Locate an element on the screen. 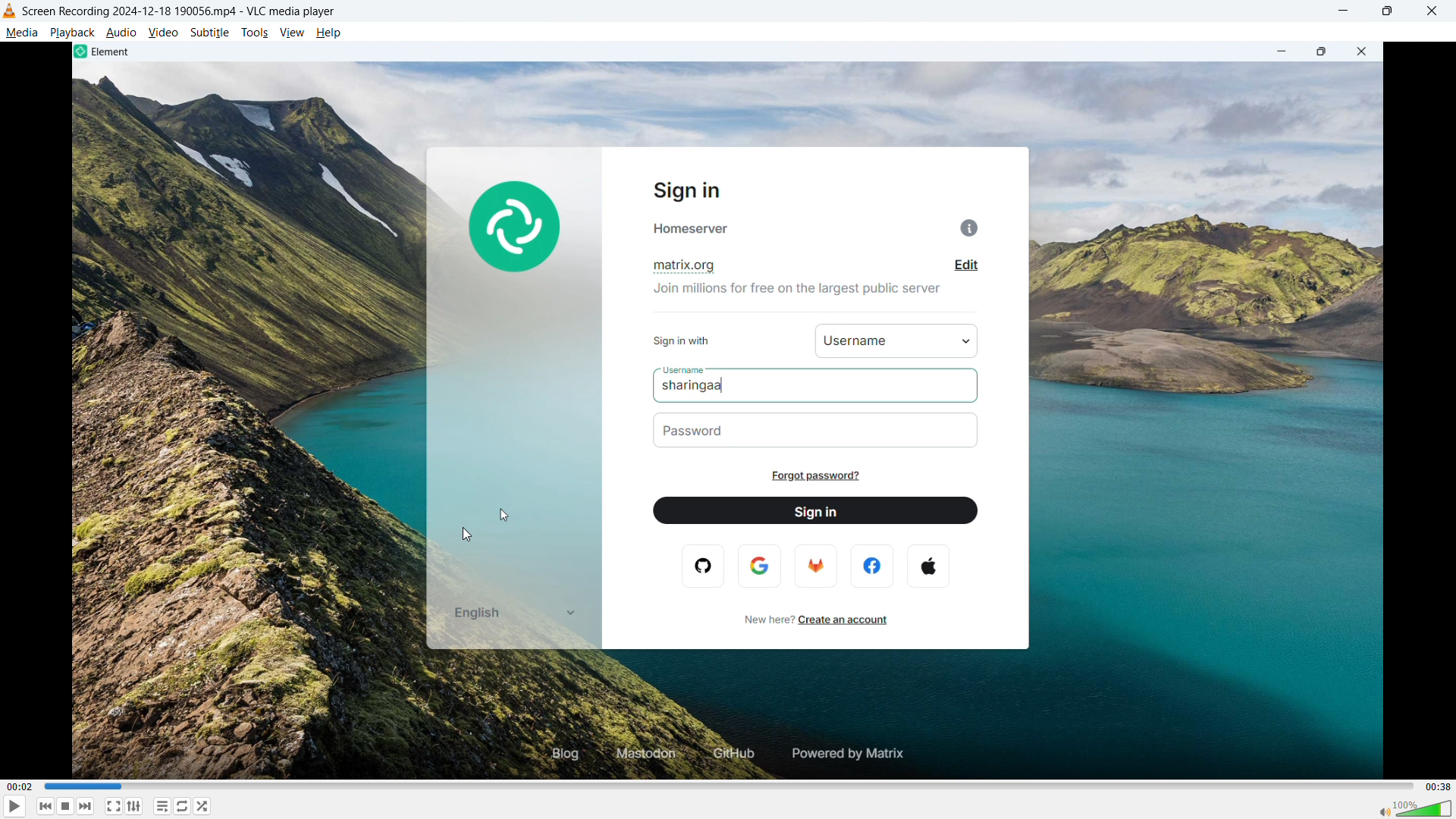 Image resolution: width=1456 pixels, height=819 pixels. 00 : 38 is located at coordinates (1438, 785).